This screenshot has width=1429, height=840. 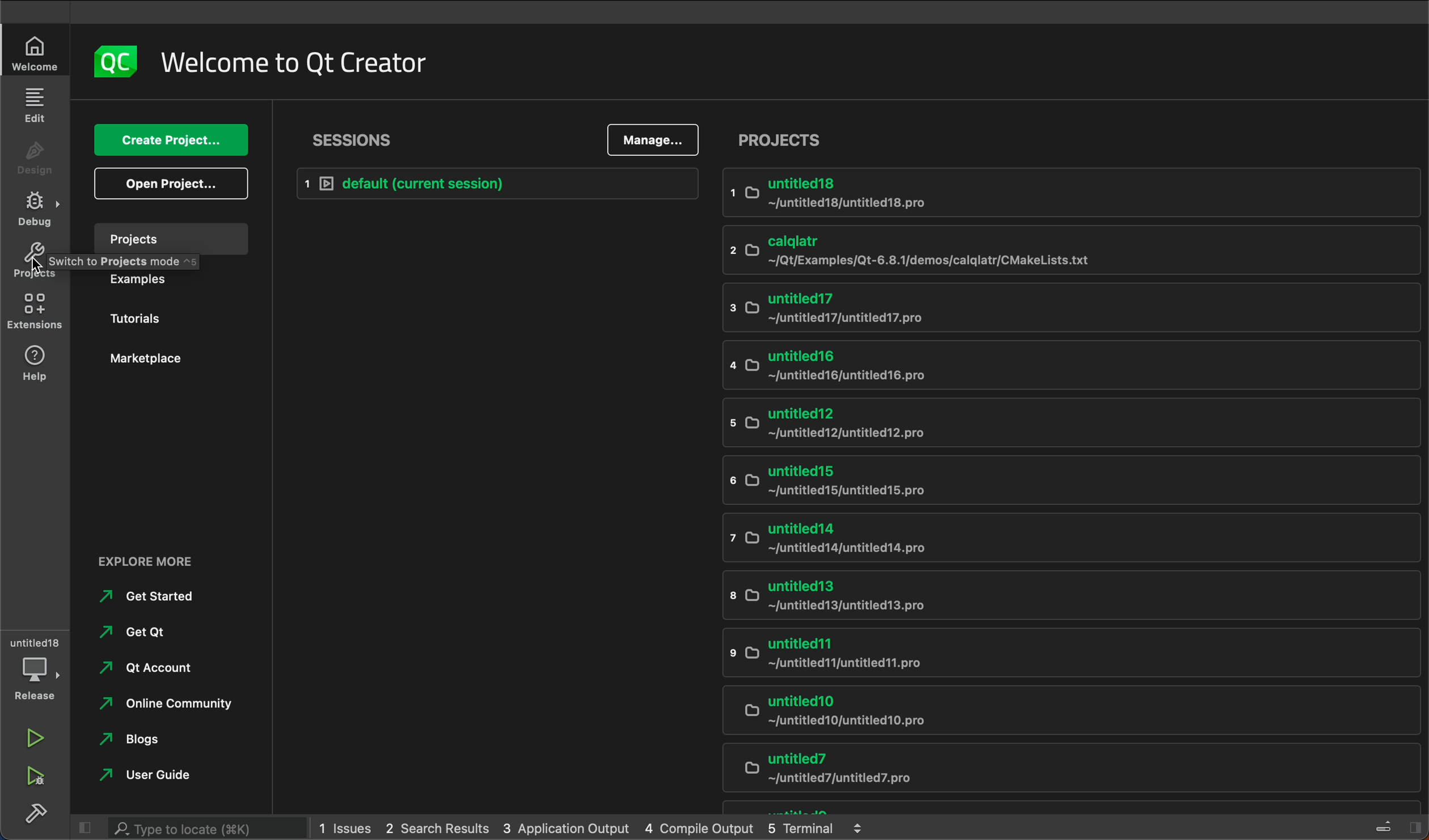 What do you see at coordinates (1063, 651) in the screenshot?
I see `untitled11` at bounding box center [1063, 651].